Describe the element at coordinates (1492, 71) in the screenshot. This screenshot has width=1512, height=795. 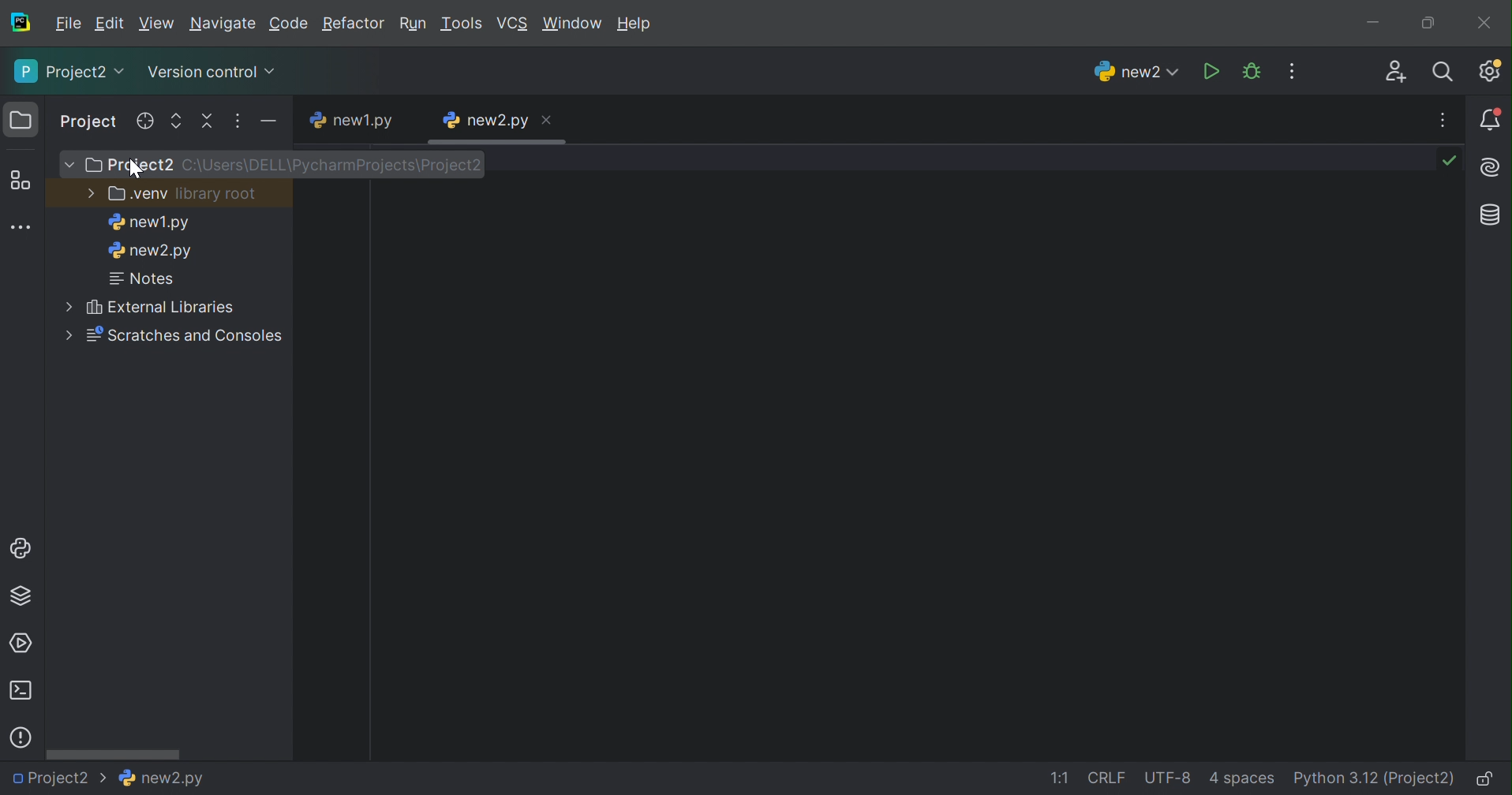
I see `Updates available. IDE and Project Settings.` at that location.